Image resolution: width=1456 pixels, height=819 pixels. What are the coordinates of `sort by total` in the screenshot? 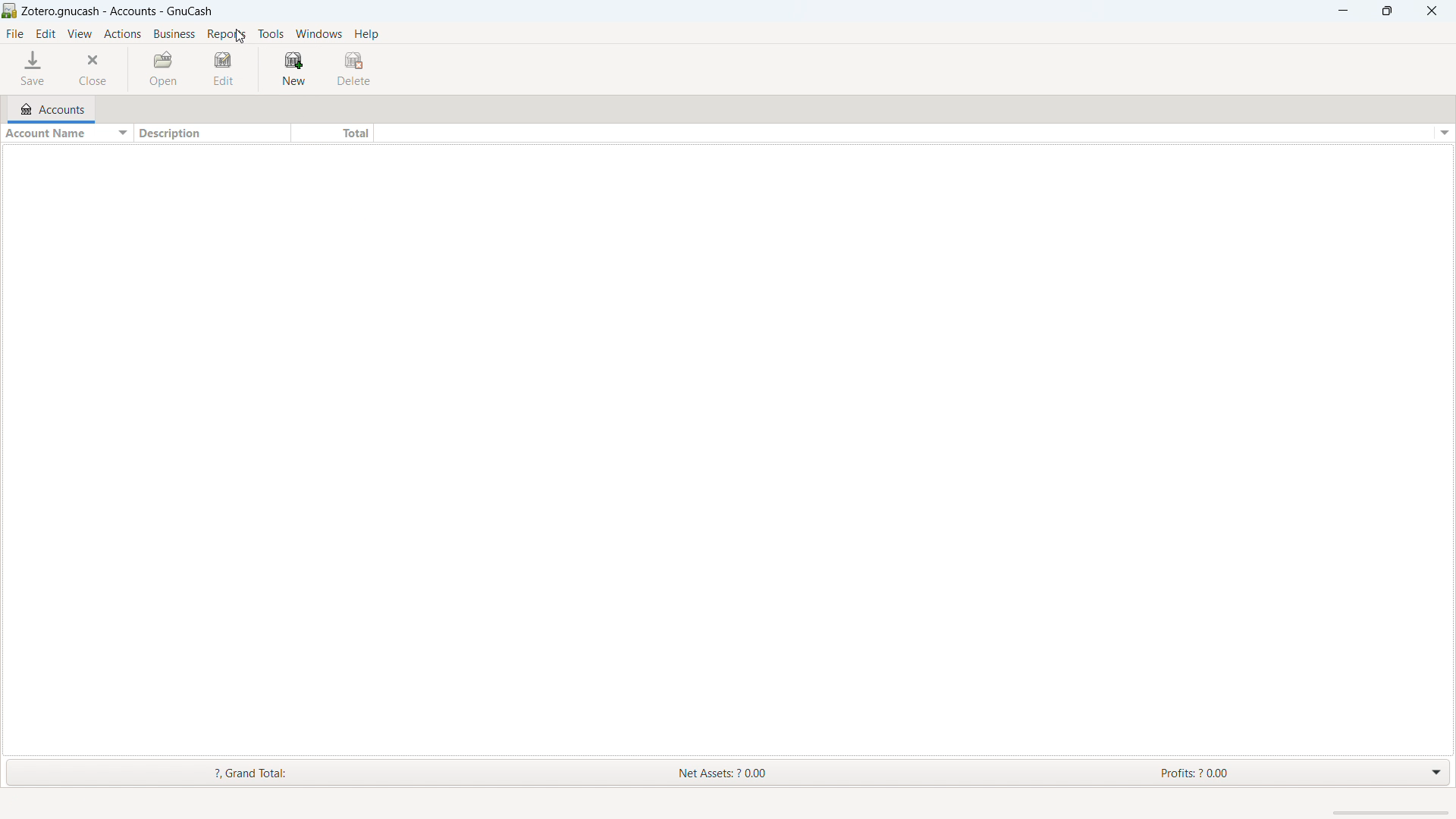 It's located at (332, 133).